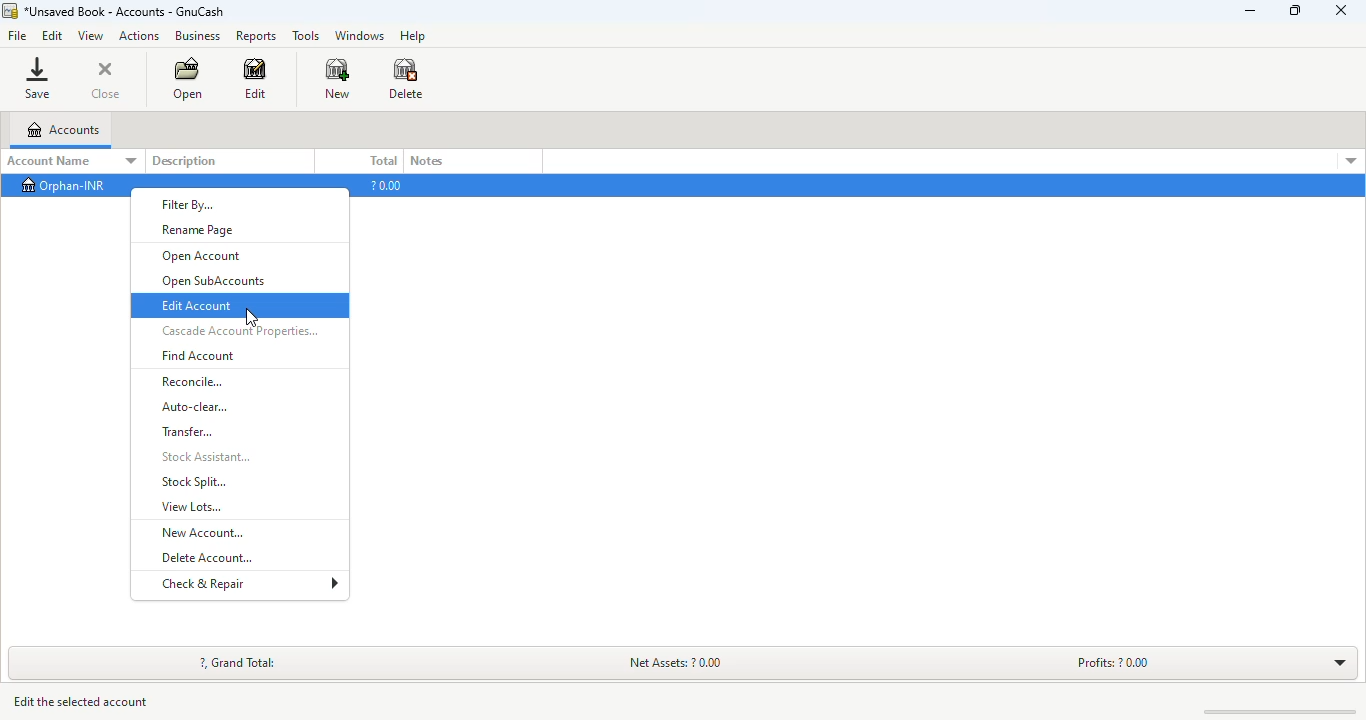 Image resolution: width=1366 pixels, height=720 pixels. Describe the element at coordinates (190, 382) in the screenshot. I see `reconcile` at that location.